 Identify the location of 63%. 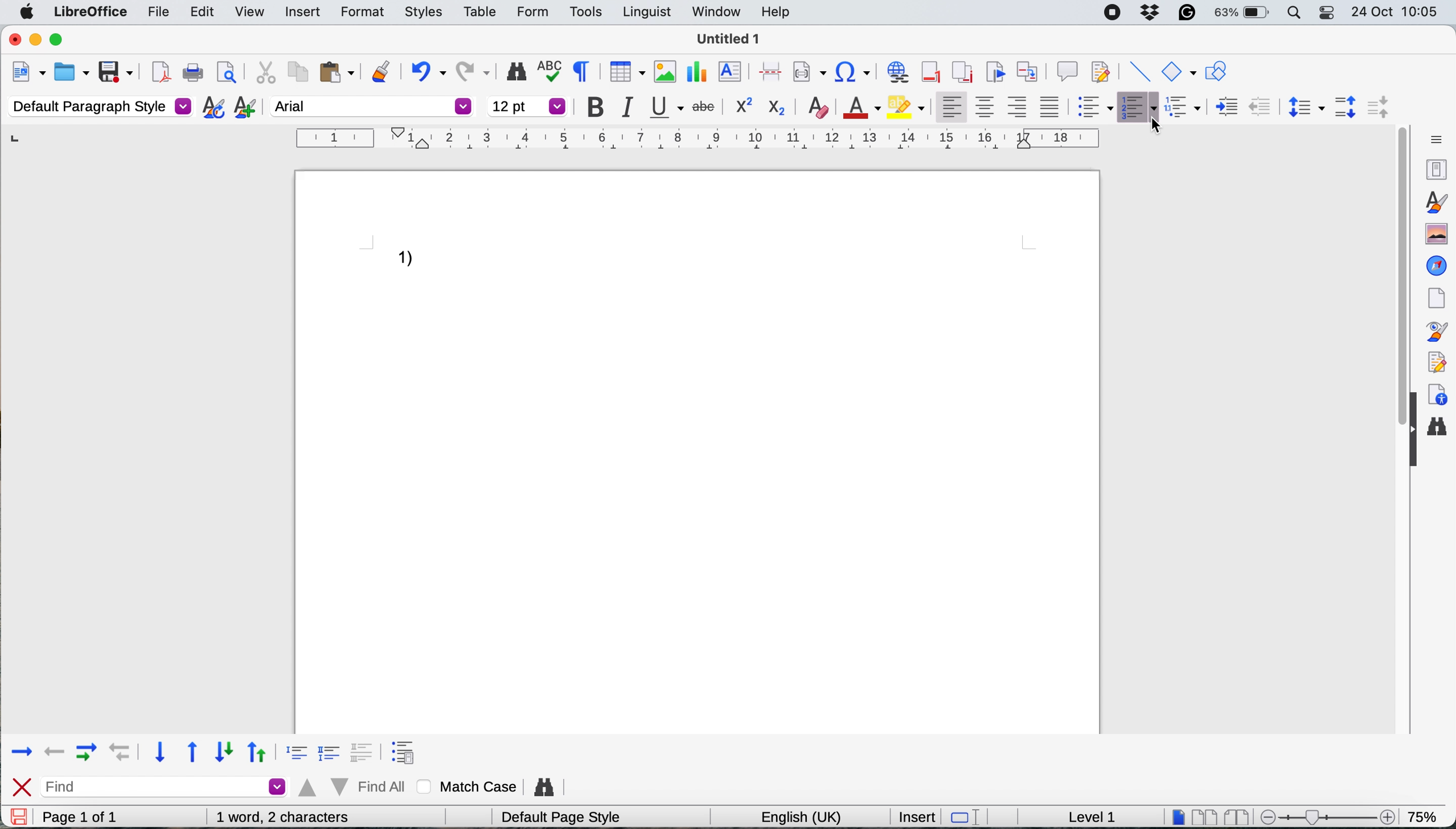
(1242, 14).